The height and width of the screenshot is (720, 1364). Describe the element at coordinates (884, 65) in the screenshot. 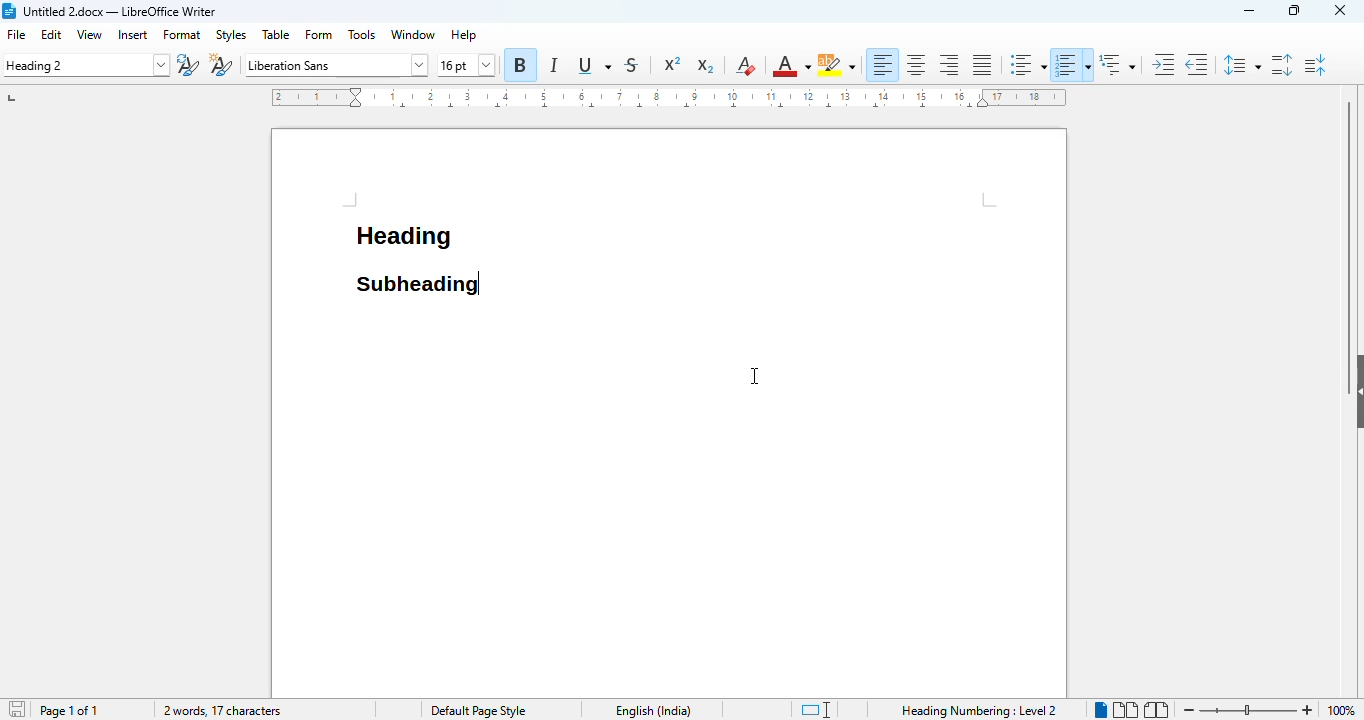

I see `align left` at that location.